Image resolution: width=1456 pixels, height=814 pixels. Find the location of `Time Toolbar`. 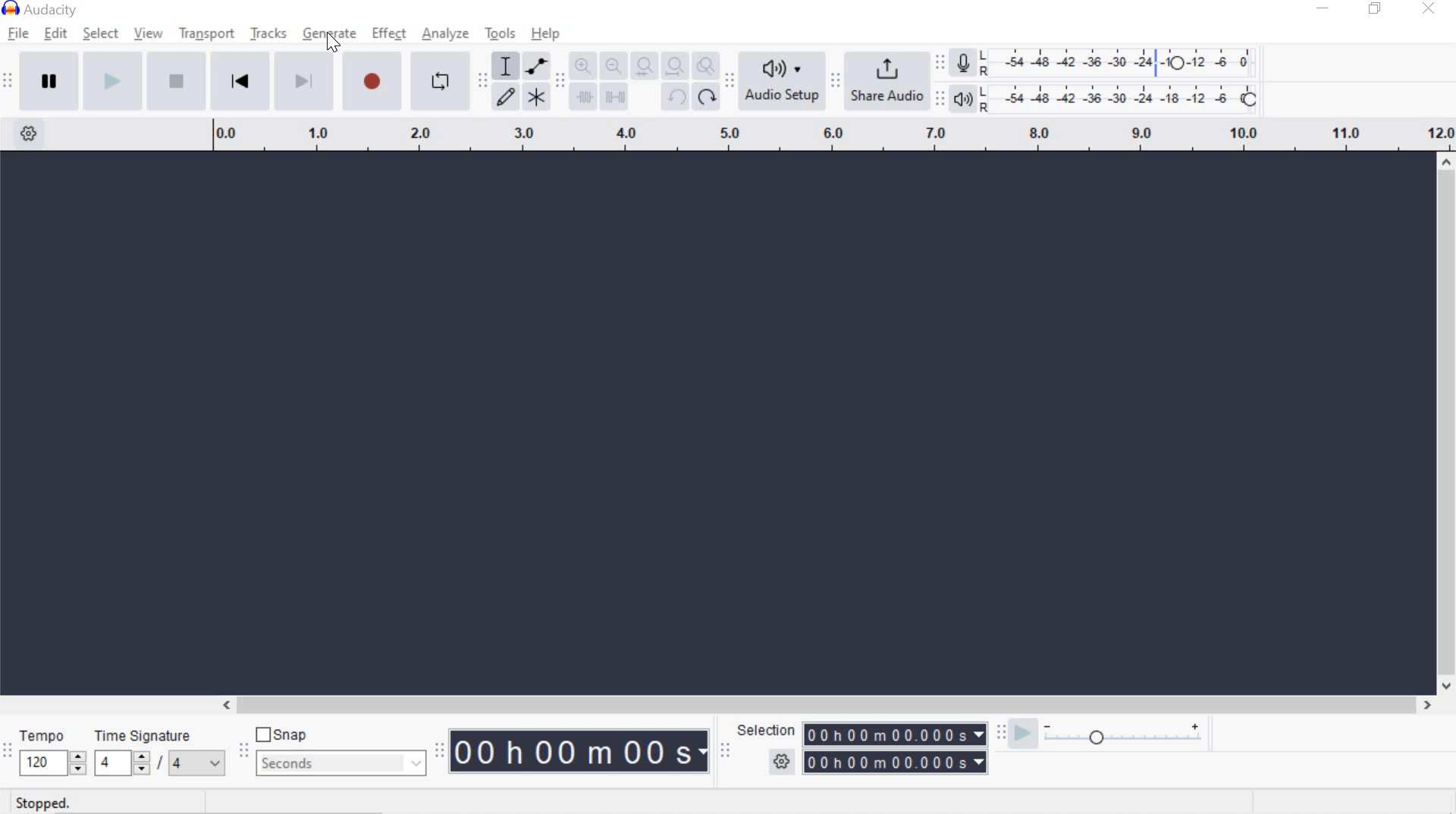

Time Toolbar is located at coordinates (441, 750).